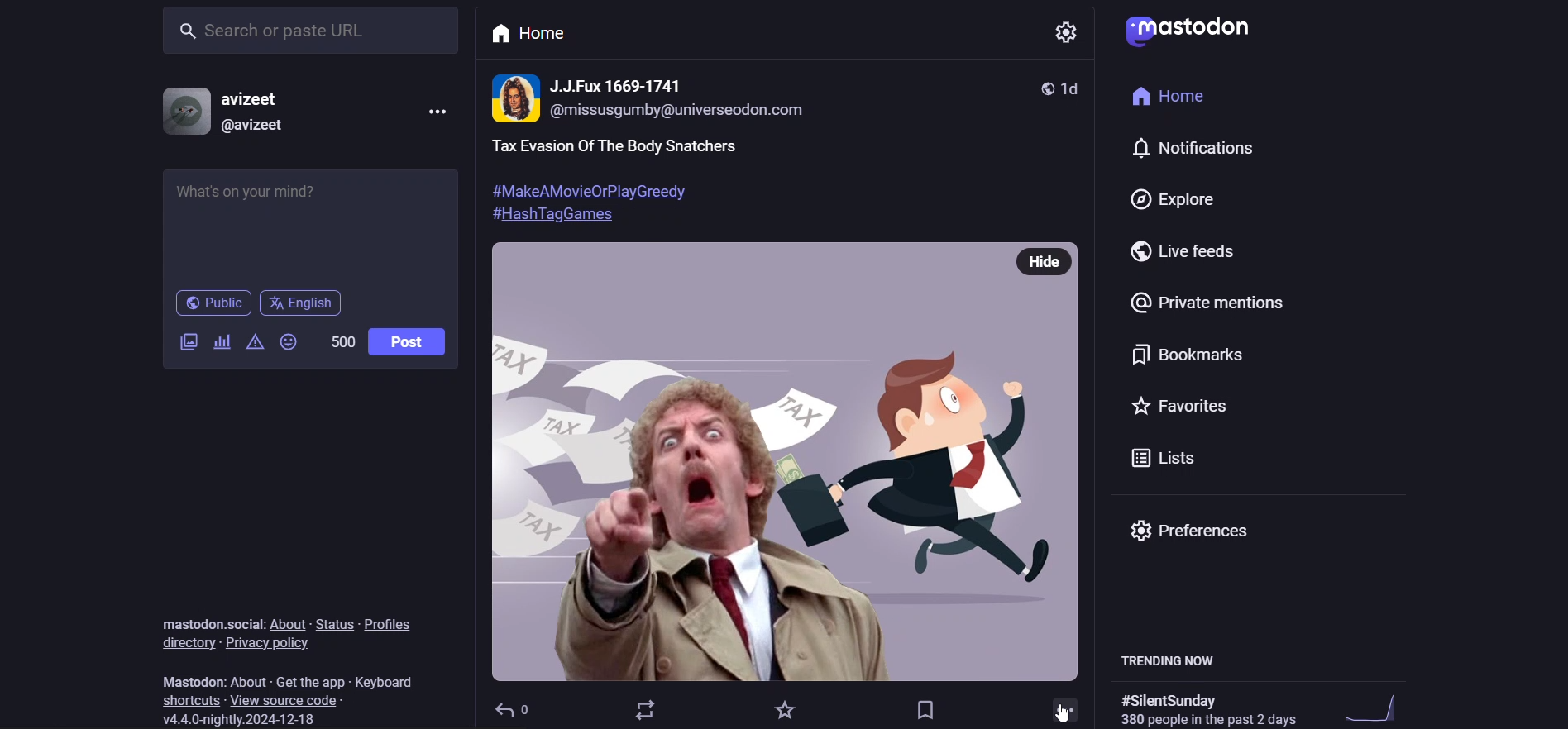  Describe the element at coordinates (513, 706) in the screenshot. I see `reply` at that location.